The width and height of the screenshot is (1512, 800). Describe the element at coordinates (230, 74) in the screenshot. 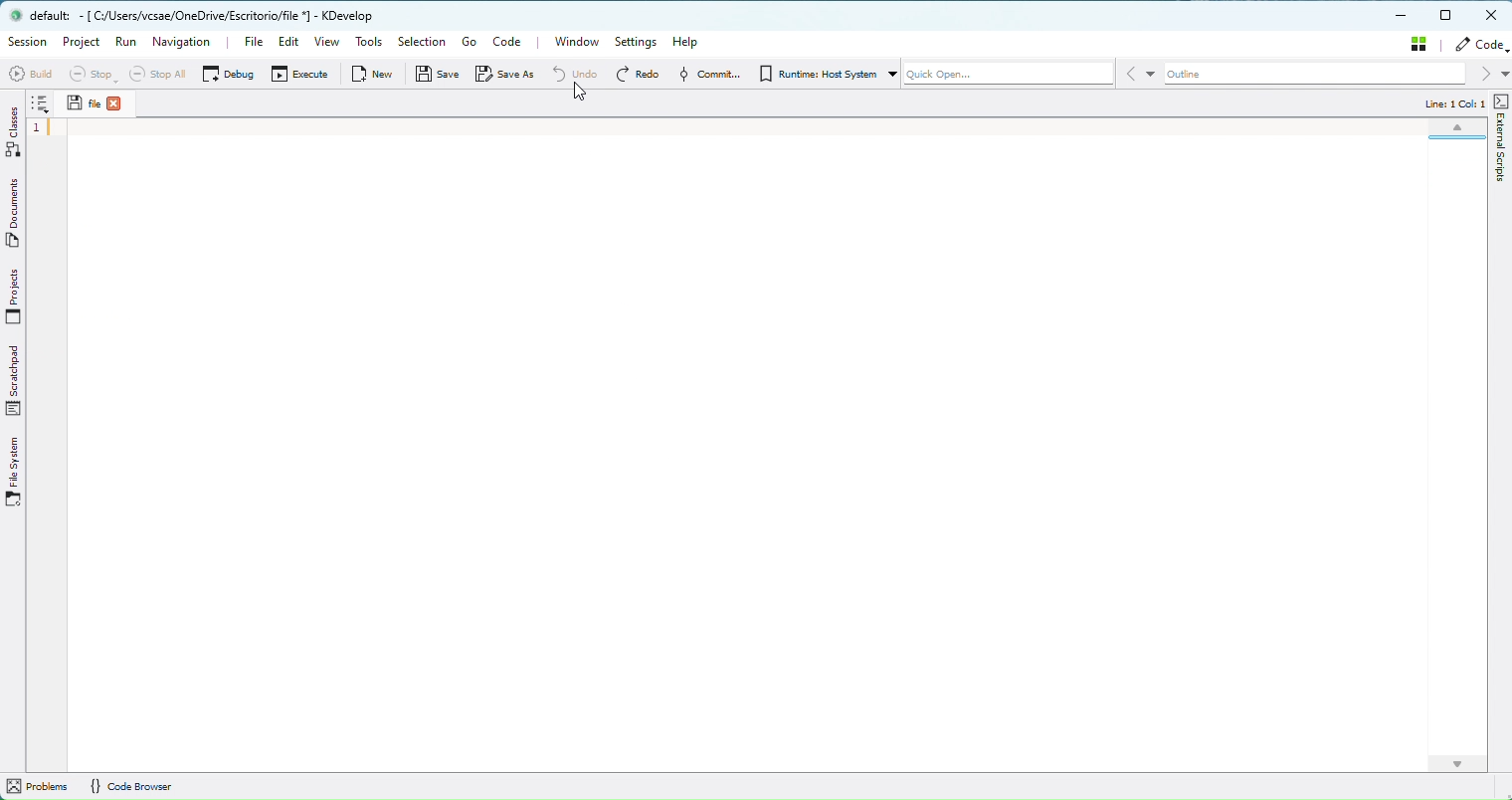

I see `Debug` at that location.